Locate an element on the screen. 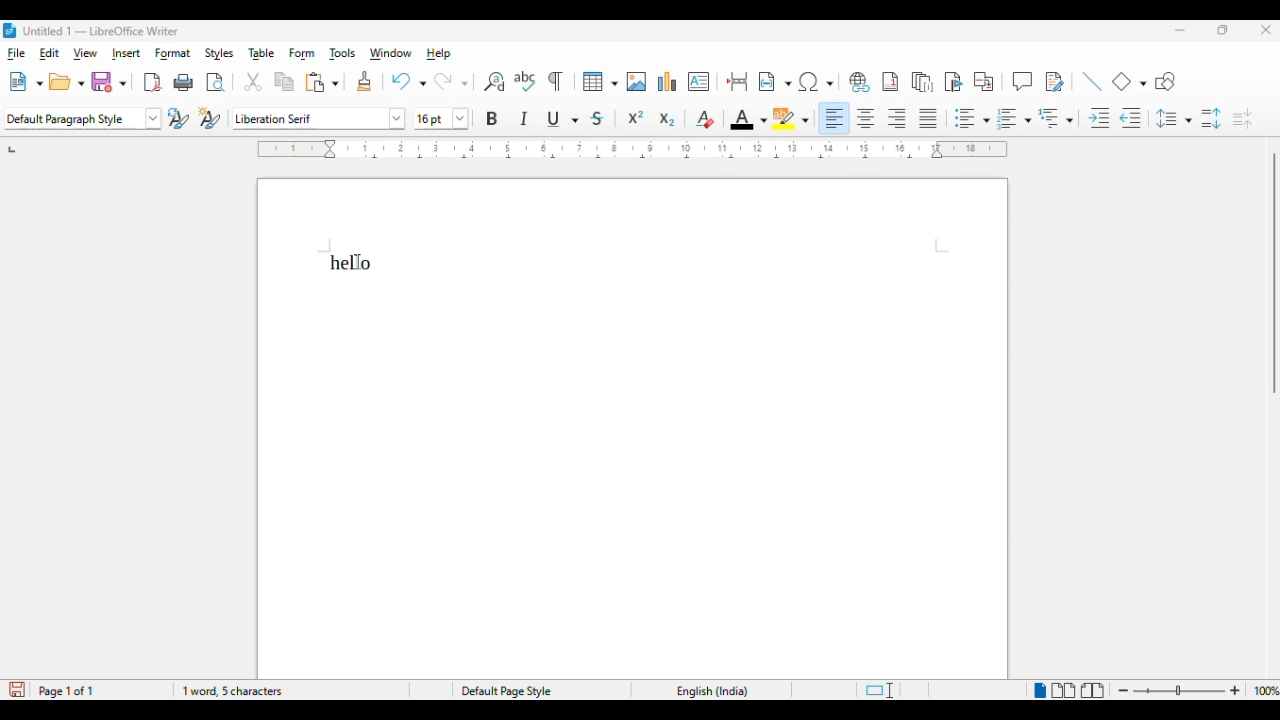  insert comment is located at coordinates (1022, 81).